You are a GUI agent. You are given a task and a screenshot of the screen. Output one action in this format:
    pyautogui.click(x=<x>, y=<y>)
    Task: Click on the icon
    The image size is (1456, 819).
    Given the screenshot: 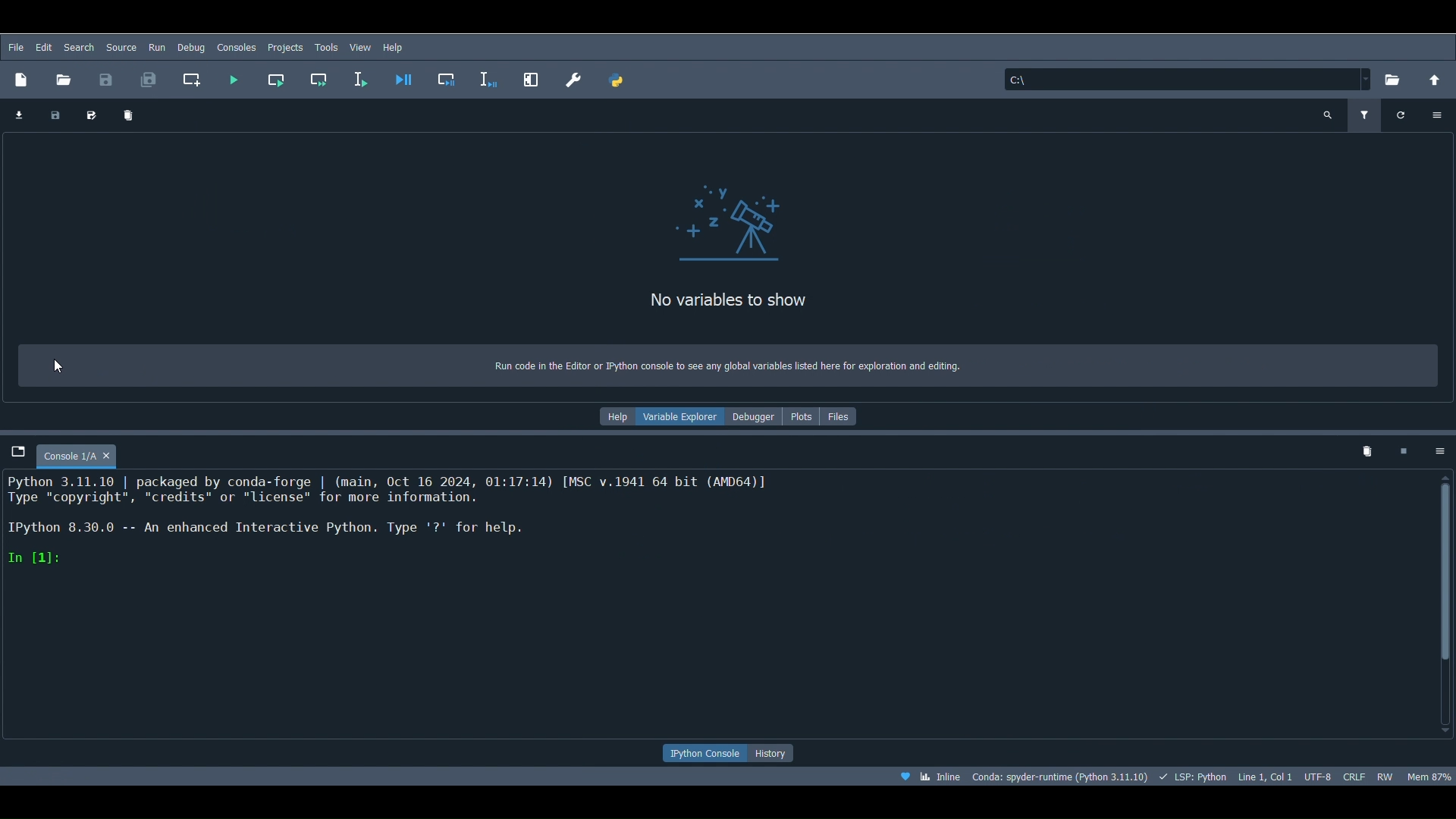 What is the action you would take?
    pyautogui.click(x=739, y=227)
    